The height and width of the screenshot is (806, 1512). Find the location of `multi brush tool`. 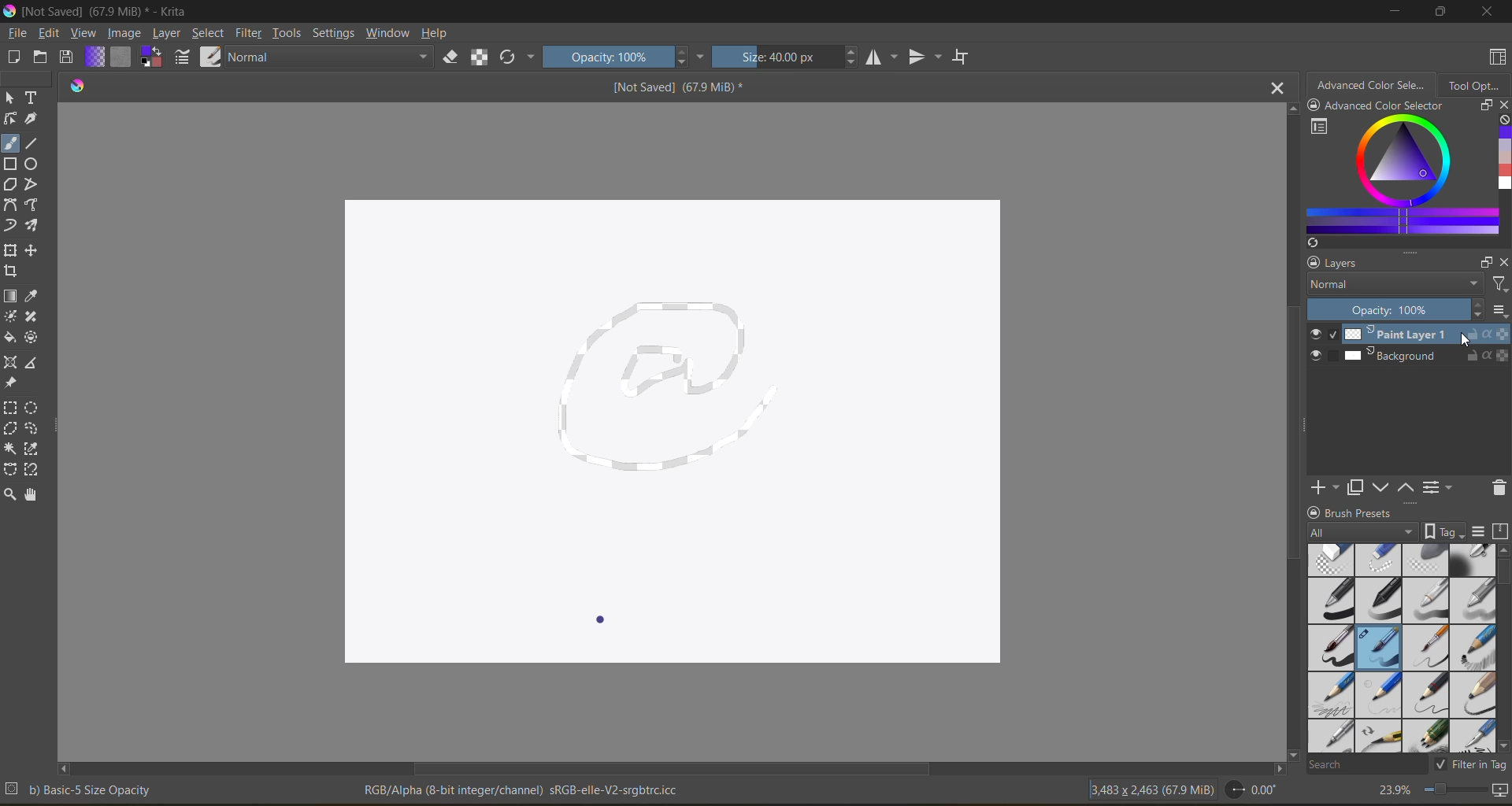

multi brush tool is located at coordinates (34, 225).